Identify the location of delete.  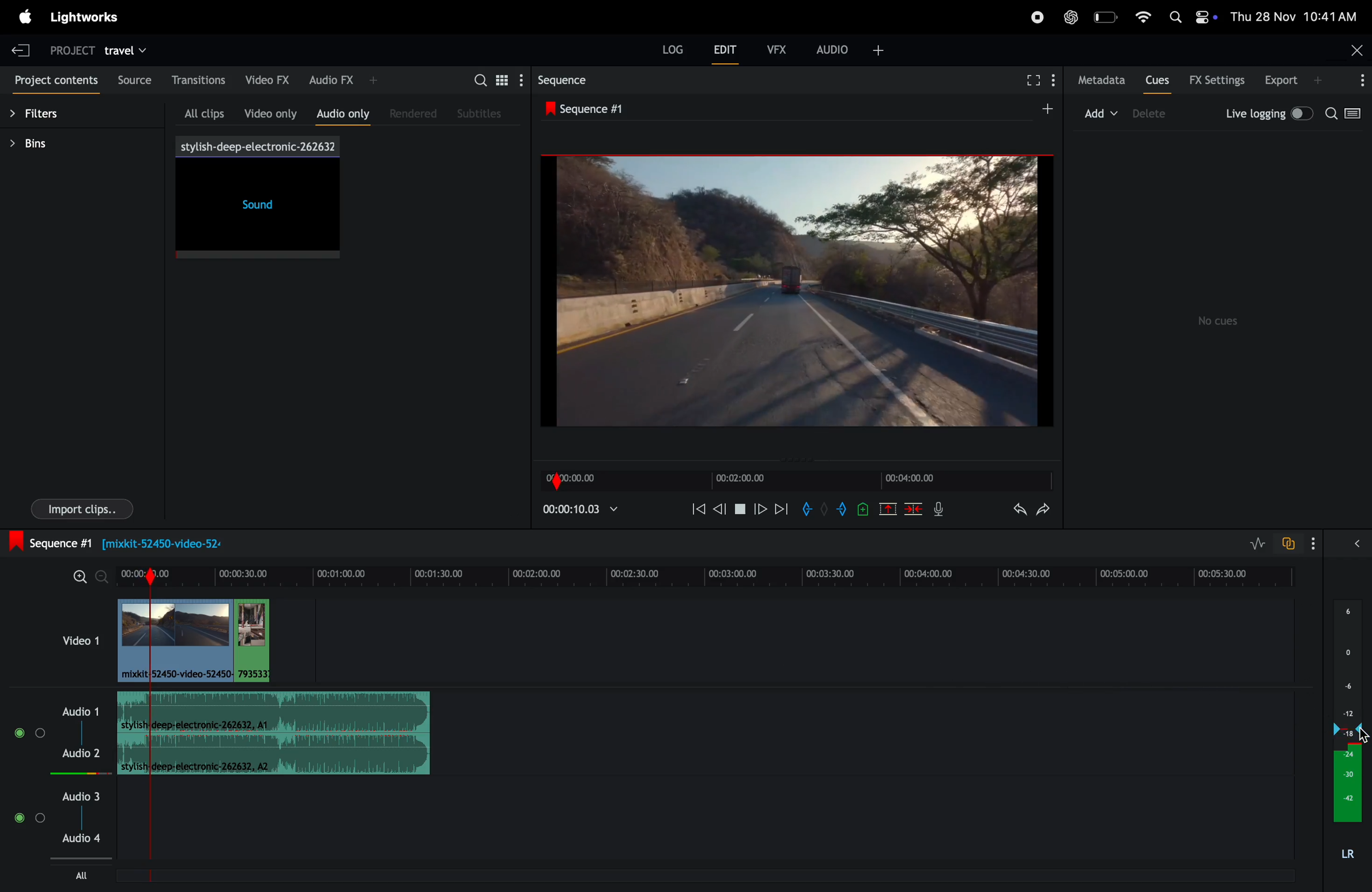
(1158, 114).